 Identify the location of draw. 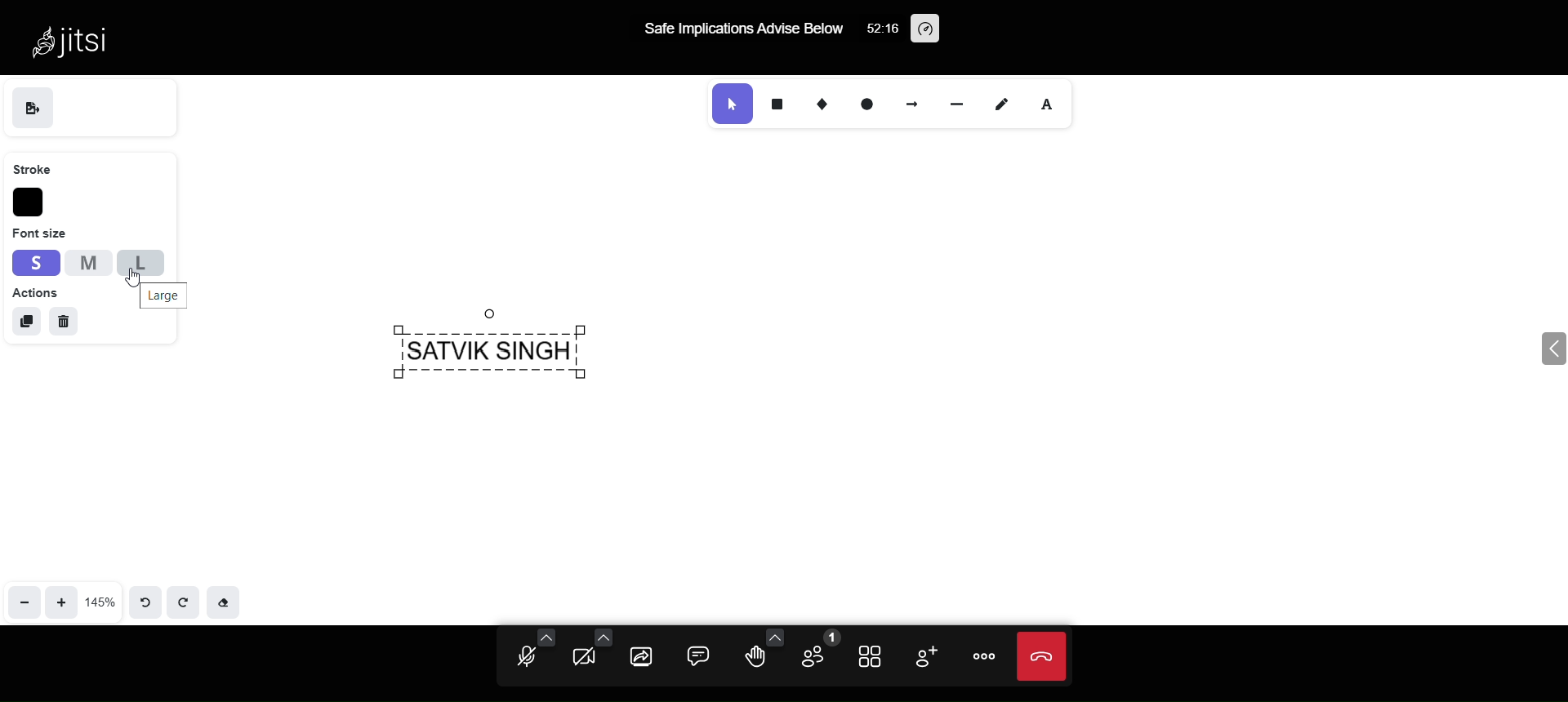
(1004, 104).